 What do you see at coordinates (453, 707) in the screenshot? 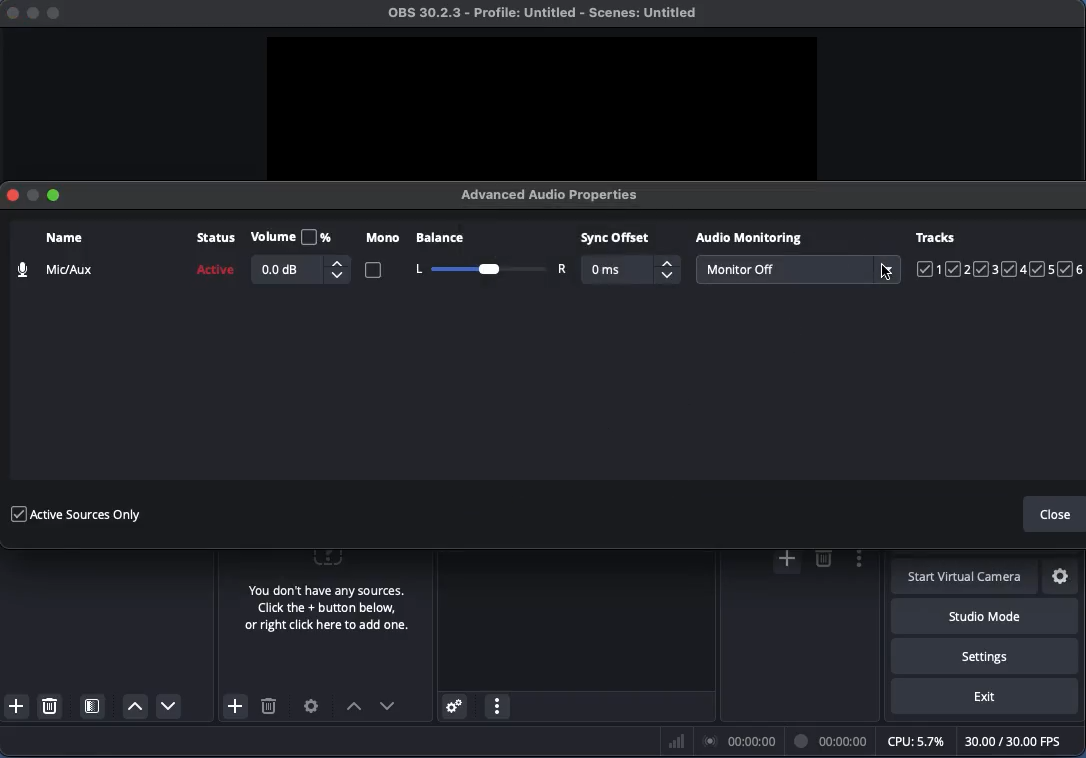
I see `Advanced audio properties` at bounding box center [453, 707].